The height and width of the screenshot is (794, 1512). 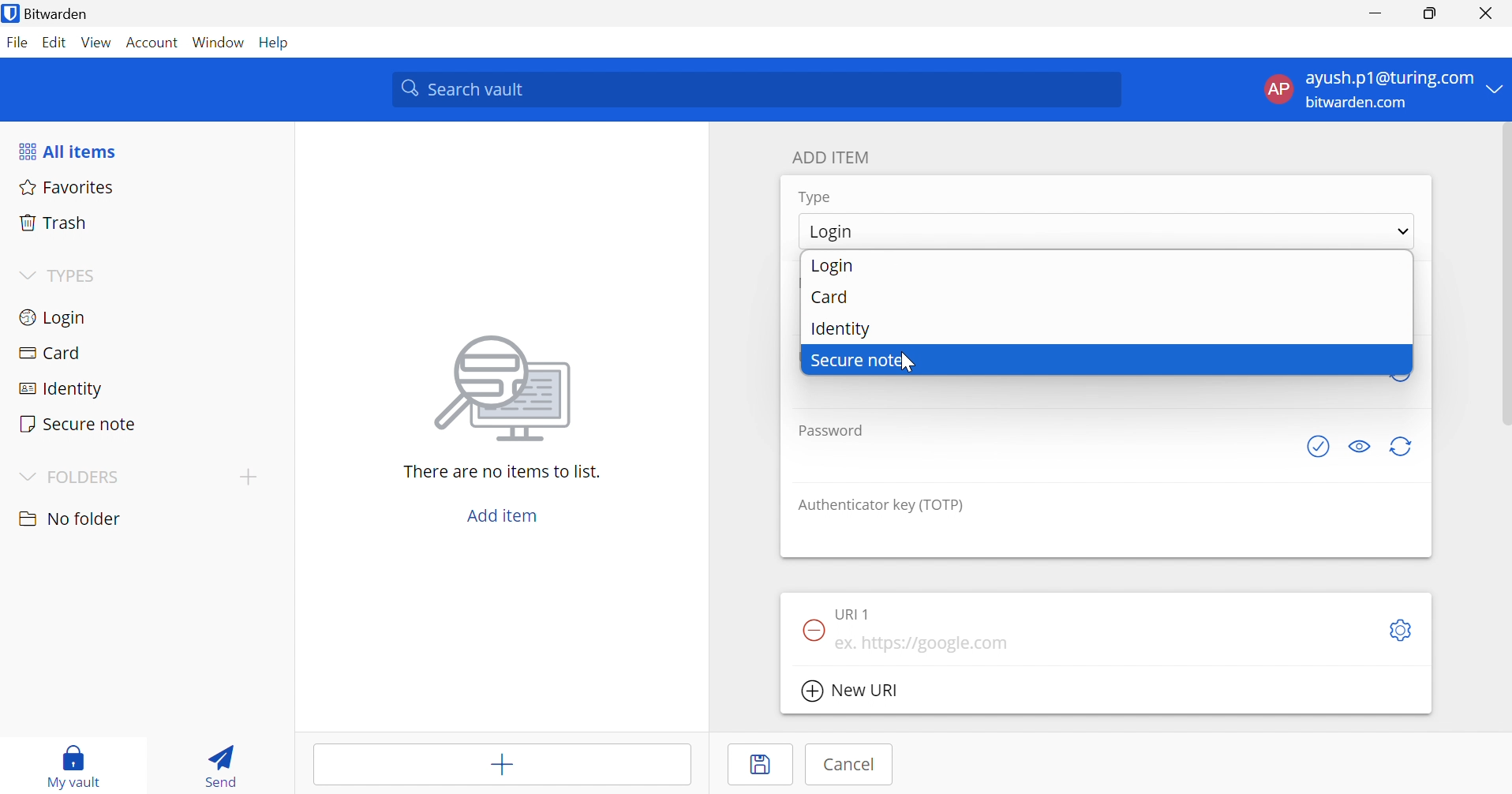 What do you see at coordinates (855, 692) in the screenshot?
I see `New url` at bounding box center [855, 692].